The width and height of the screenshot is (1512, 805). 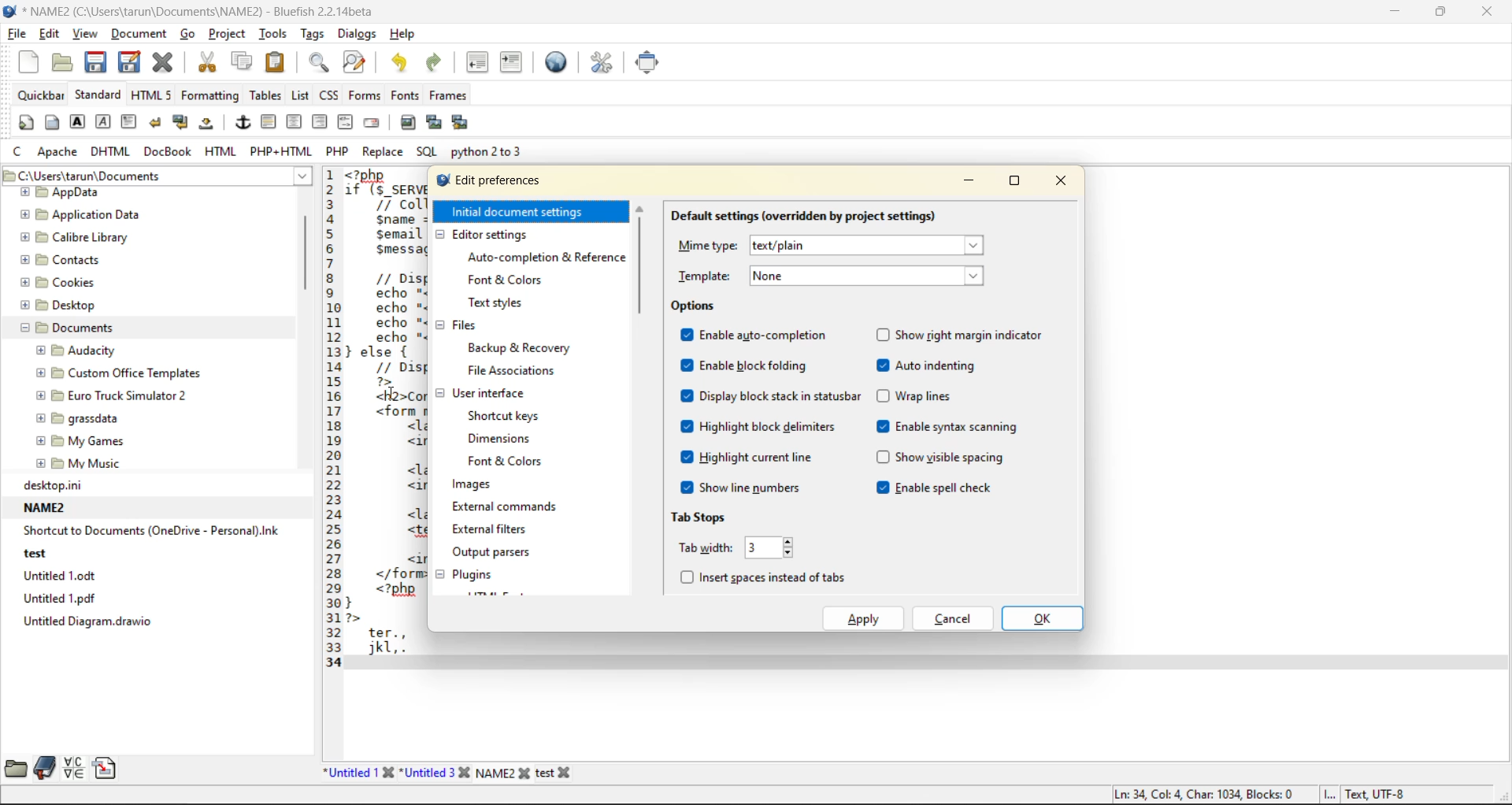 I want to click on forms, so click(x=371, y=95).